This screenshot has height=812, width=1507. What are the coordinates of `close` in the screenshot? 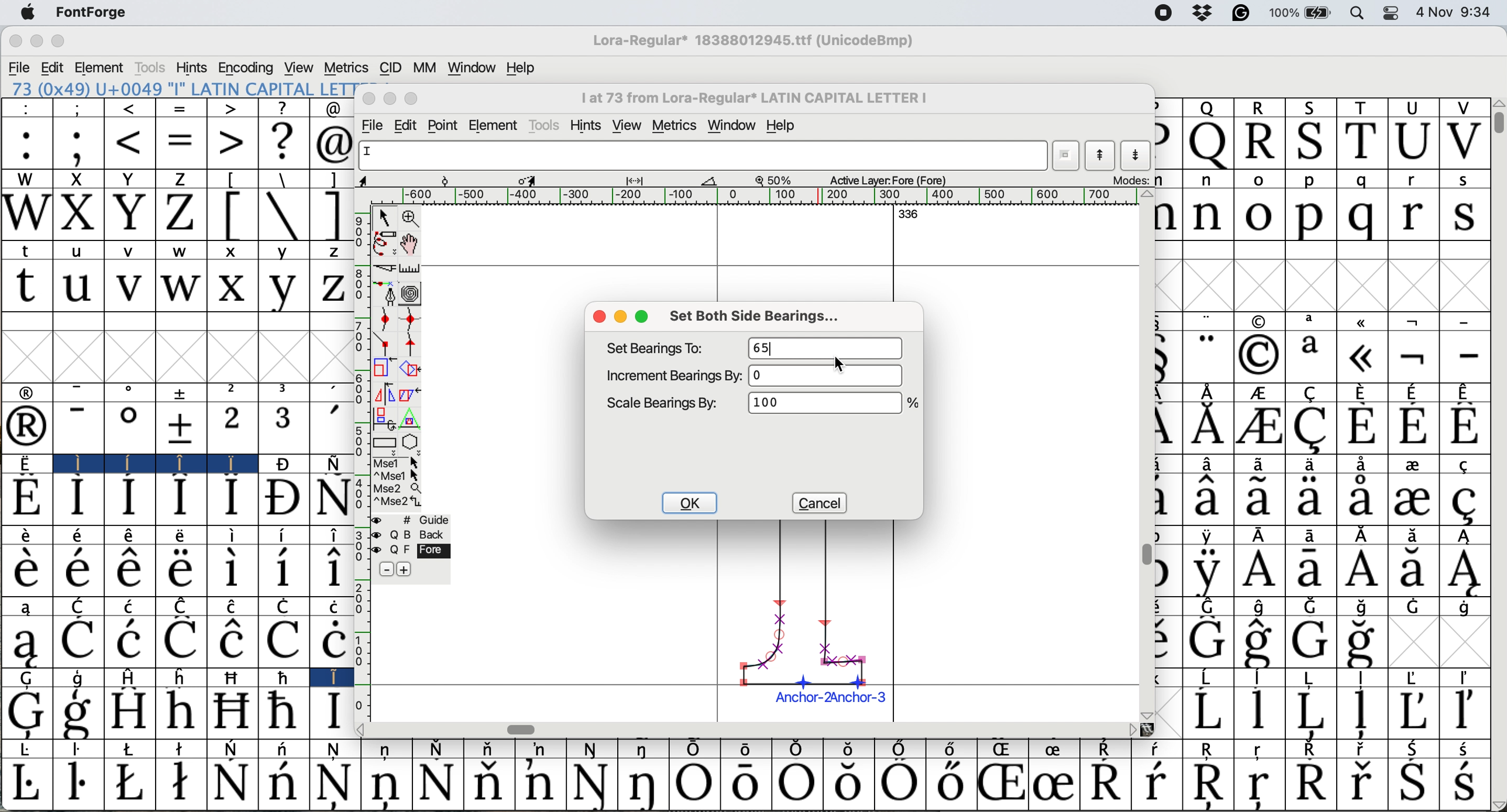 It's located at (16, 42).